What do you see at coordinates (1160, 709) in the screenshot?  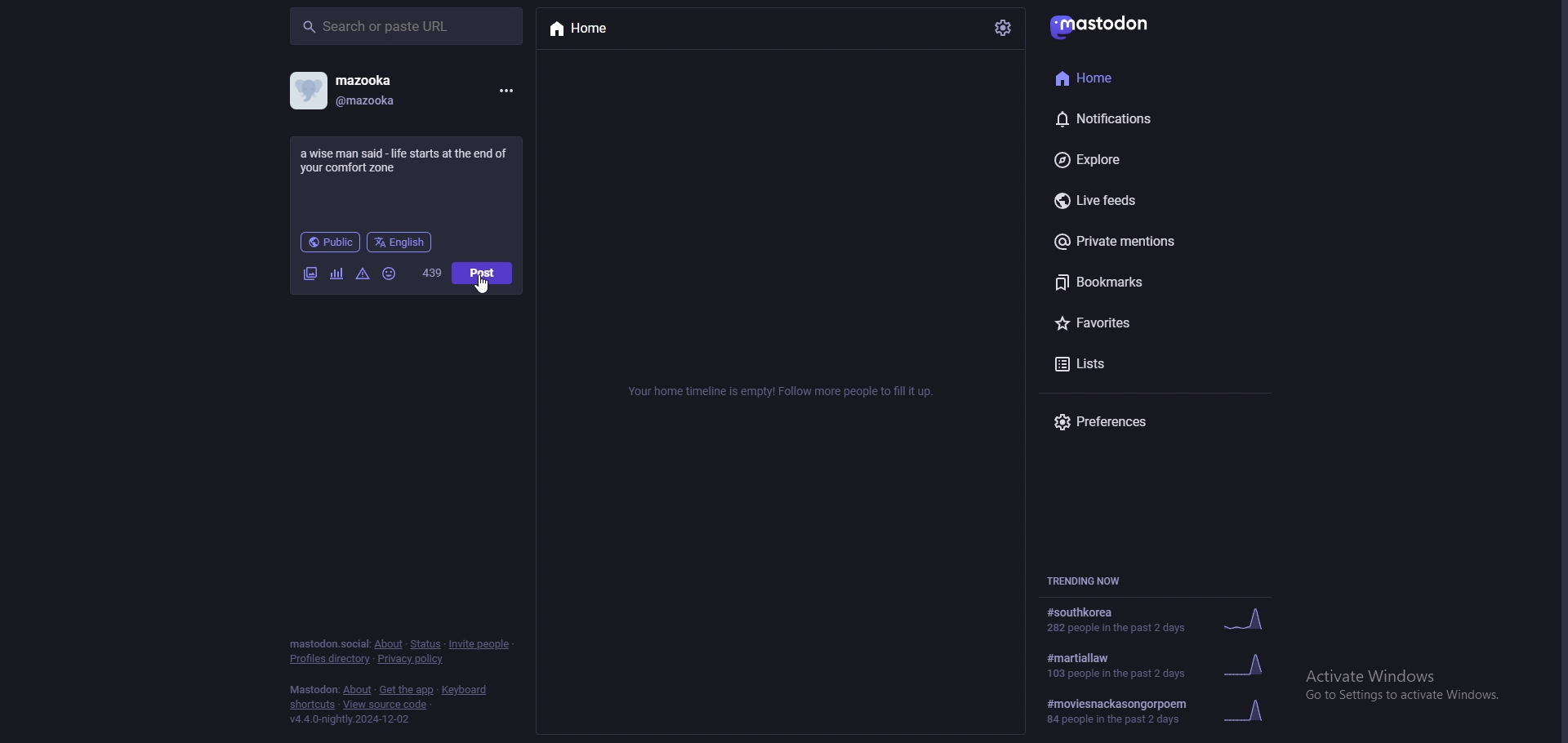 I see `trending` at bounding box center [1160, 709].